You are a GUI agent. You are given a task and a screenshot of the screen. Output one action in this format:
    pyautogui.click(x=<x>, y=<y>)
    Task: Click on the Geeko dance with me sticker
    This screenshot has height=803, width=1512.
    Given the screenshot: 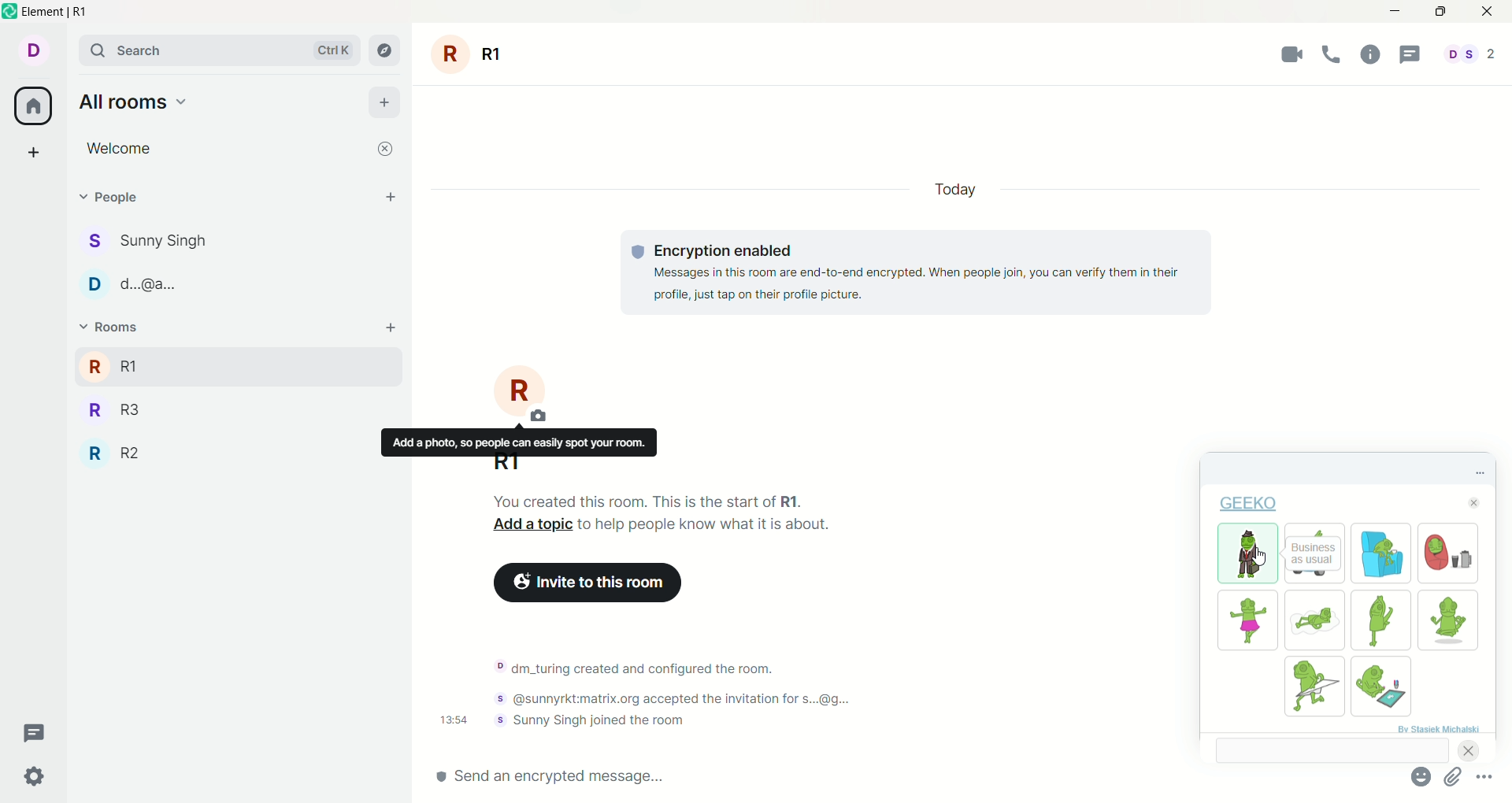 What is the action you would take?
    pyautogui.click(x=1247, y=620)
    